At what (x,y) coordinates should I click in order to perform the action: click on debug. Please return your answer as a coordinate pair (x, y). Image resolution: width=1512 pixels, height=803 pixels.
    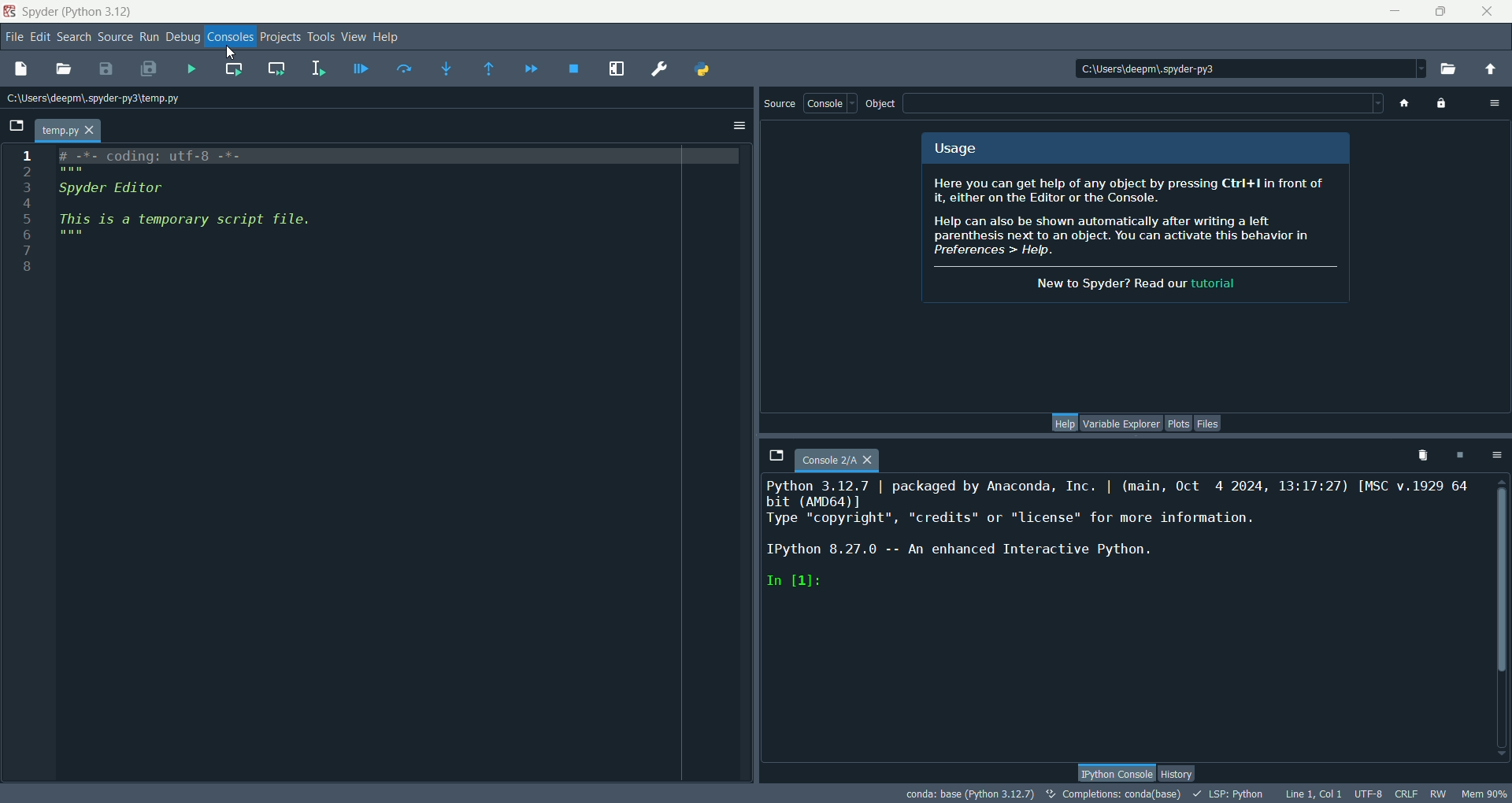
    Looking at the image, I should click on (183, 38).